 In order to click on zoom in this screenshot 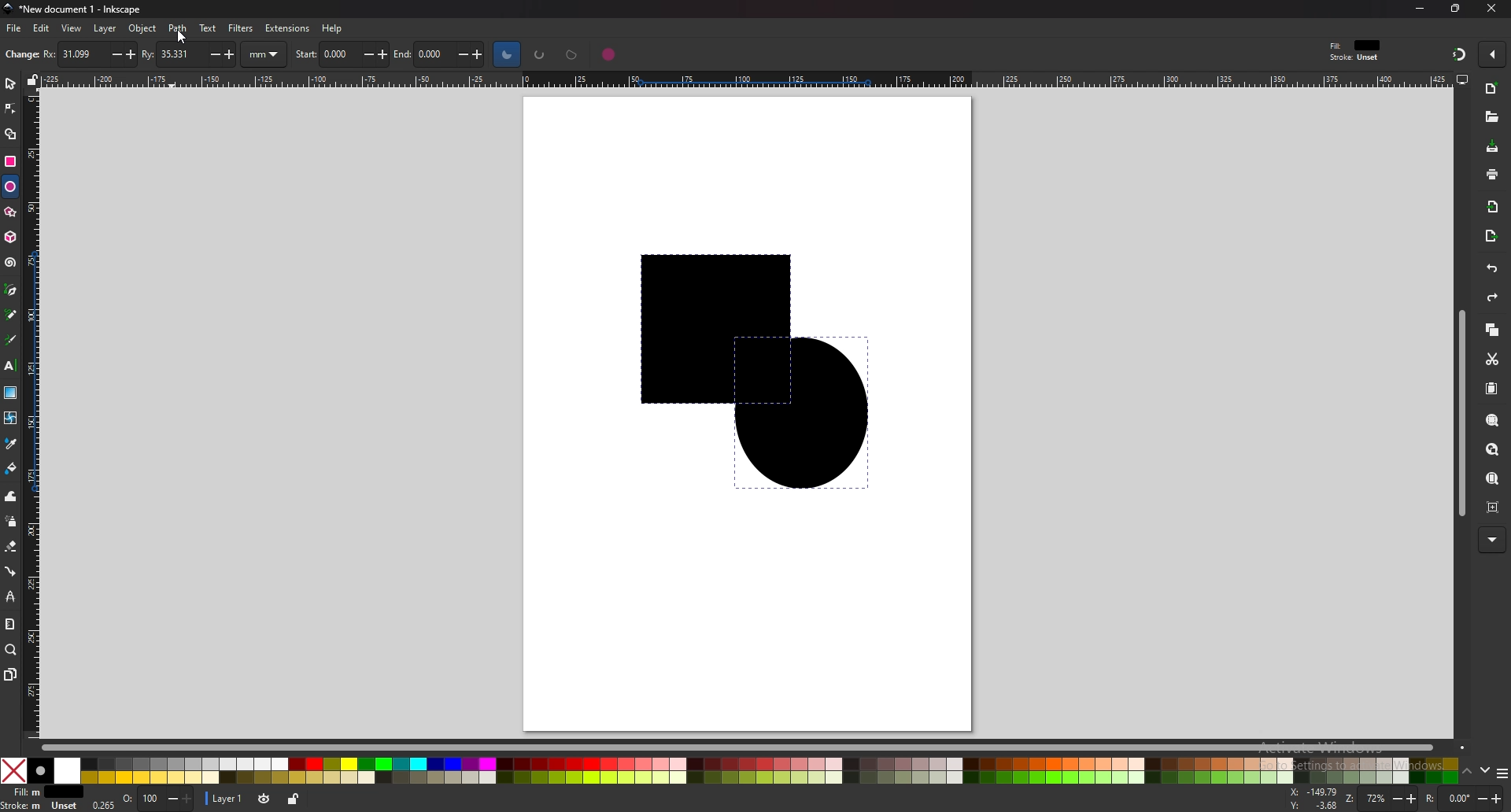, I will do `click(1382, 799)`.